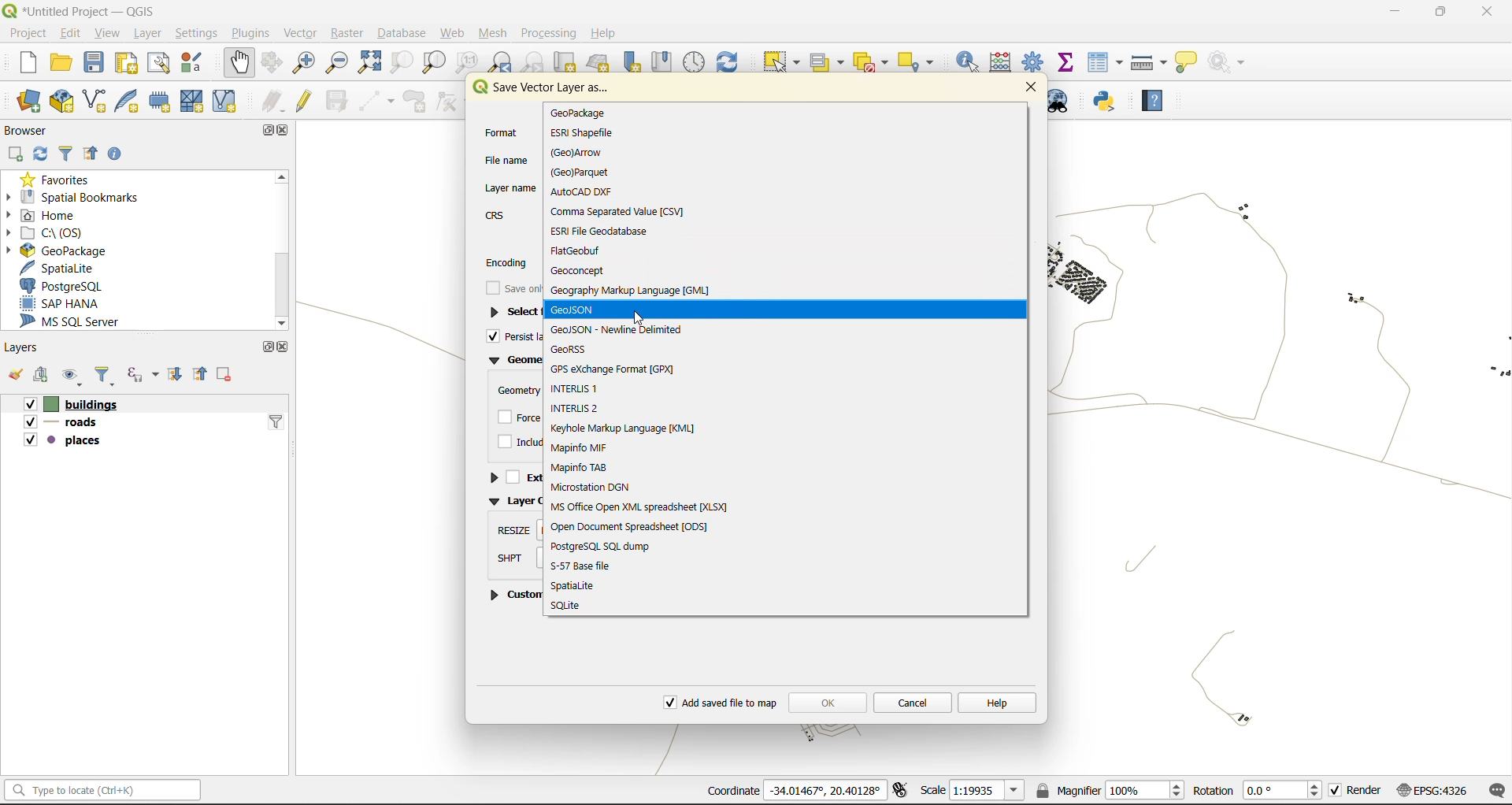  What do you see at coordinates (91, 152) in the screenshot?
I see `collapse all` at bounding box center [91, 152].